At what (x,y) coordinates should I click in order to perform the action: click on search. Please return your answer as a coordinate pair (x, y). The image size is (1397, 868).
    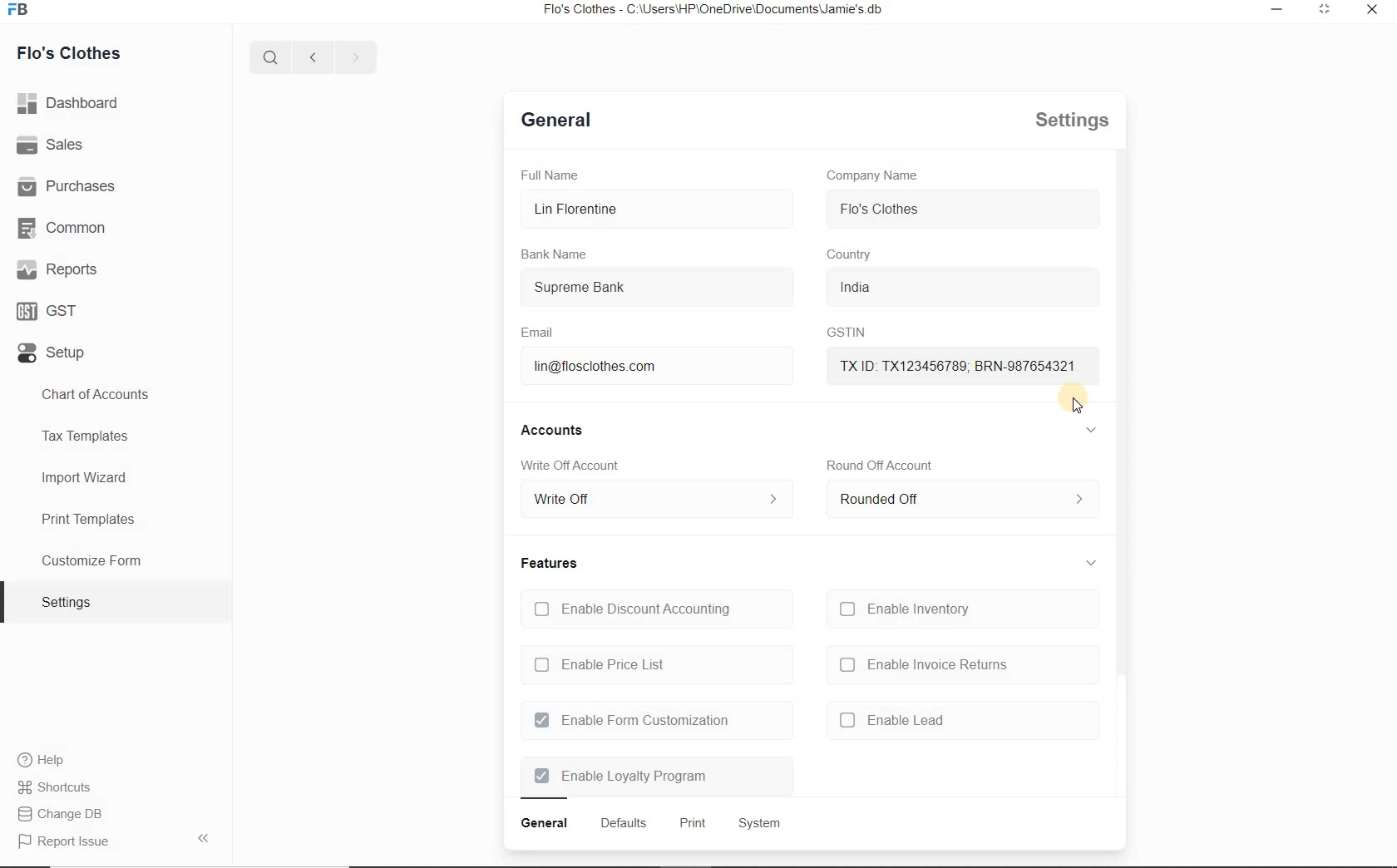
    Looking at the image, I should click on (274, 57).